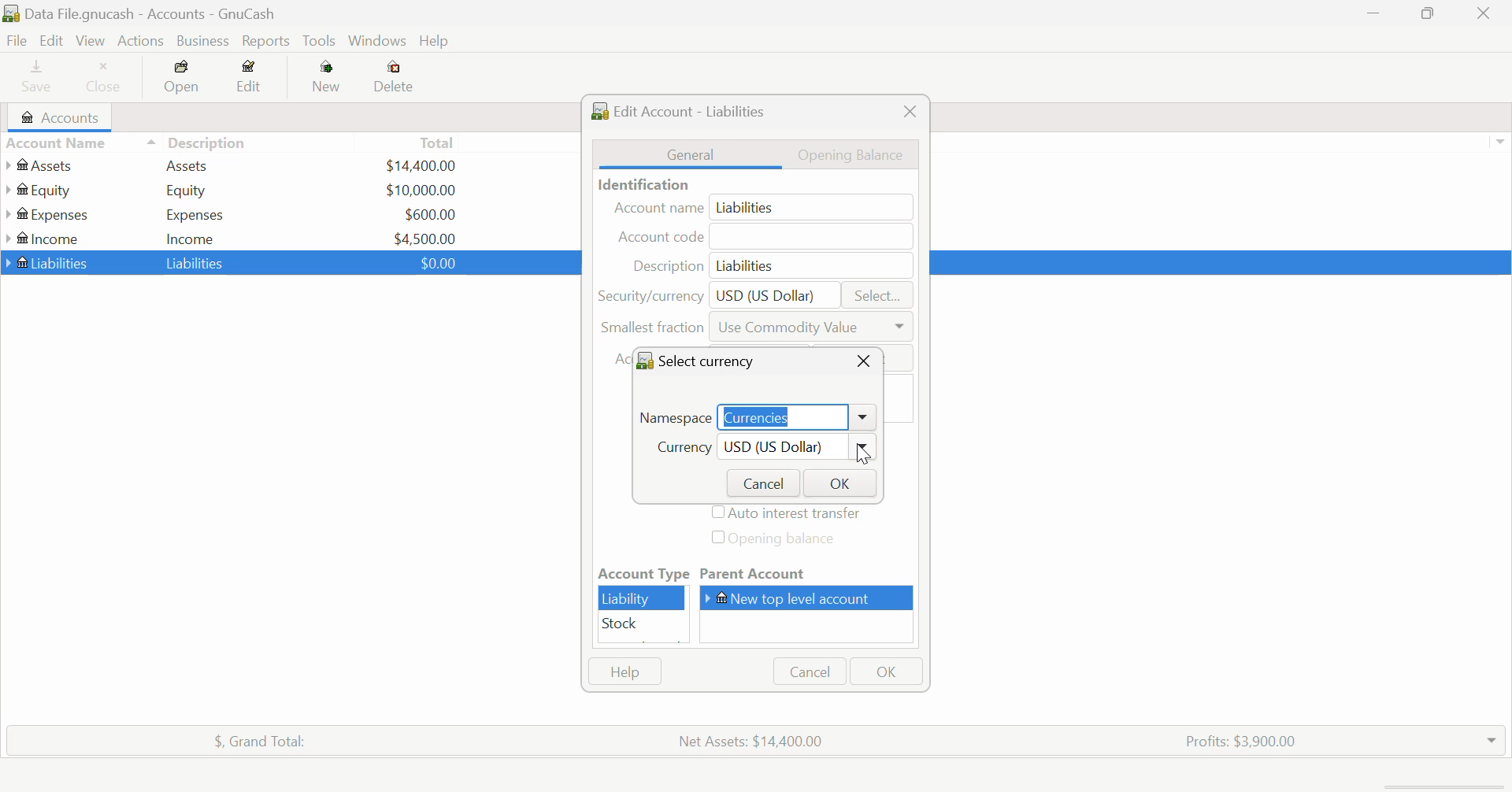 The height and width of the screenshot is (792, 1512). Describe the element at coordinates (884, 672) in the screenshot. I see `OK` at that location.